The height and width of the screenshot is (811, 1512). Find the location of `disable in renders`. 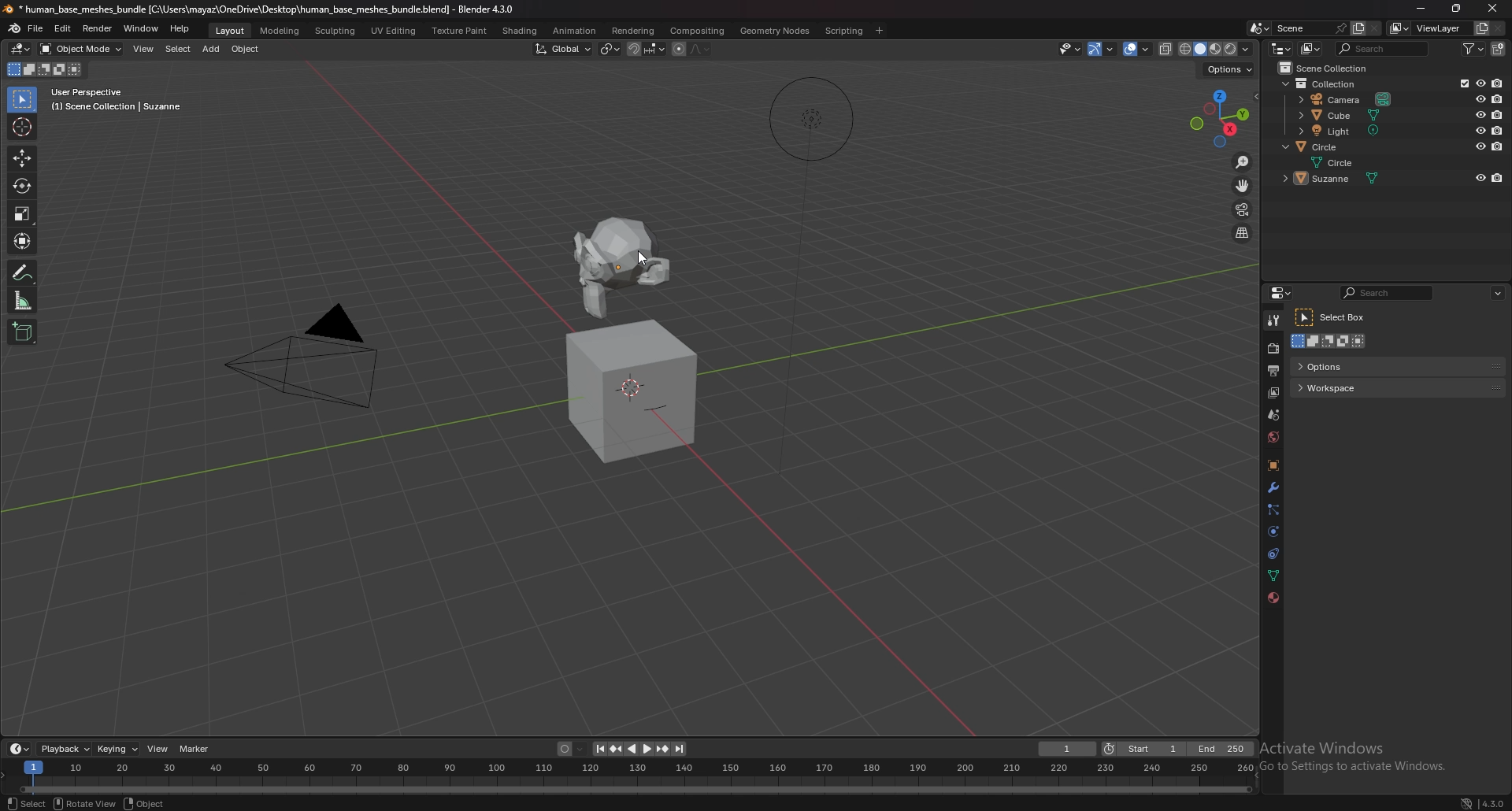

disable in renders is located at coordinates (1497, 179).